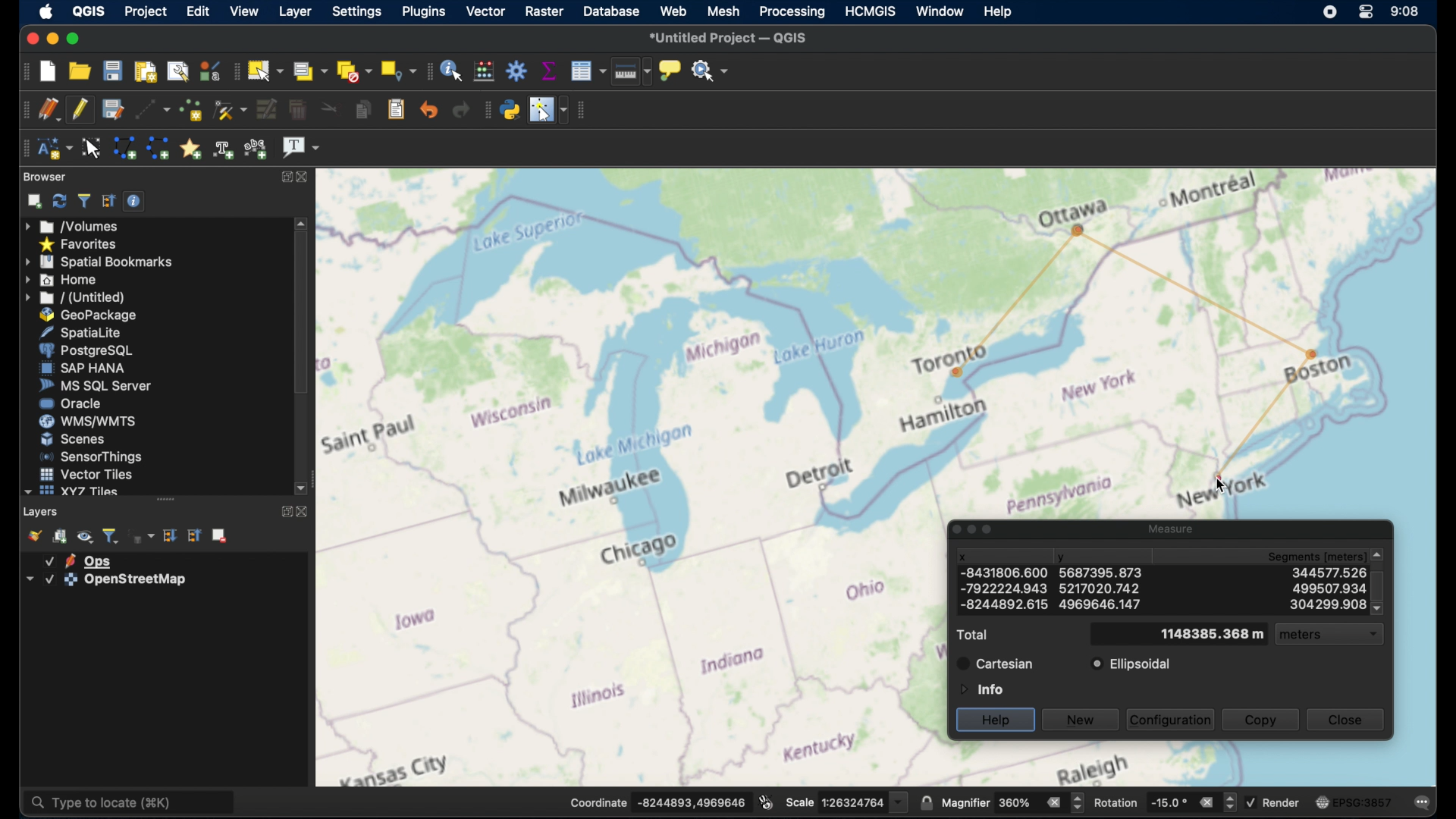  Describe the element at coordinates (310, 71) in the screenshot. I see `select features by value` at that location.